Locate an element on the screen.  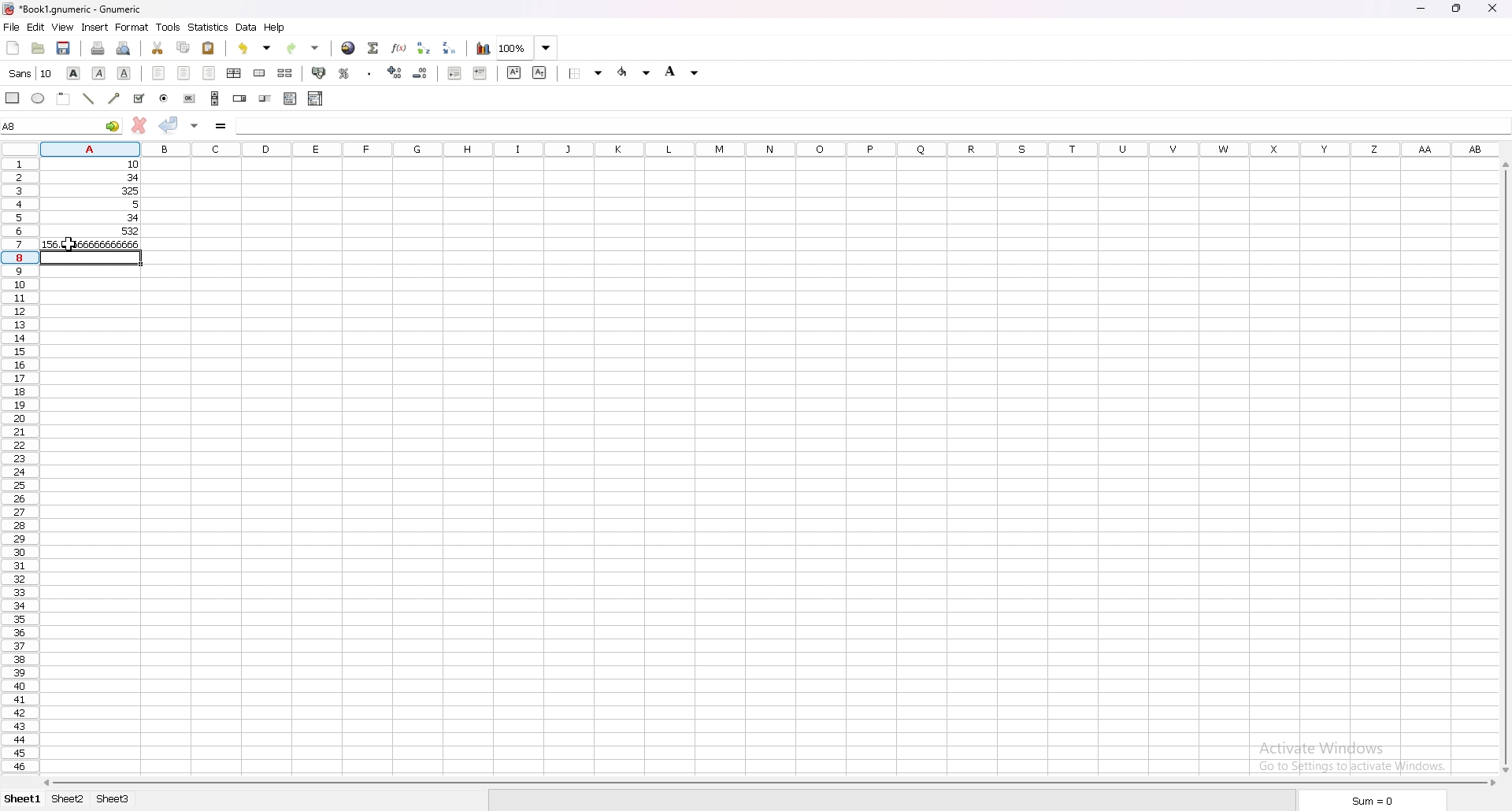
redo is located at coordinates (304, 48).